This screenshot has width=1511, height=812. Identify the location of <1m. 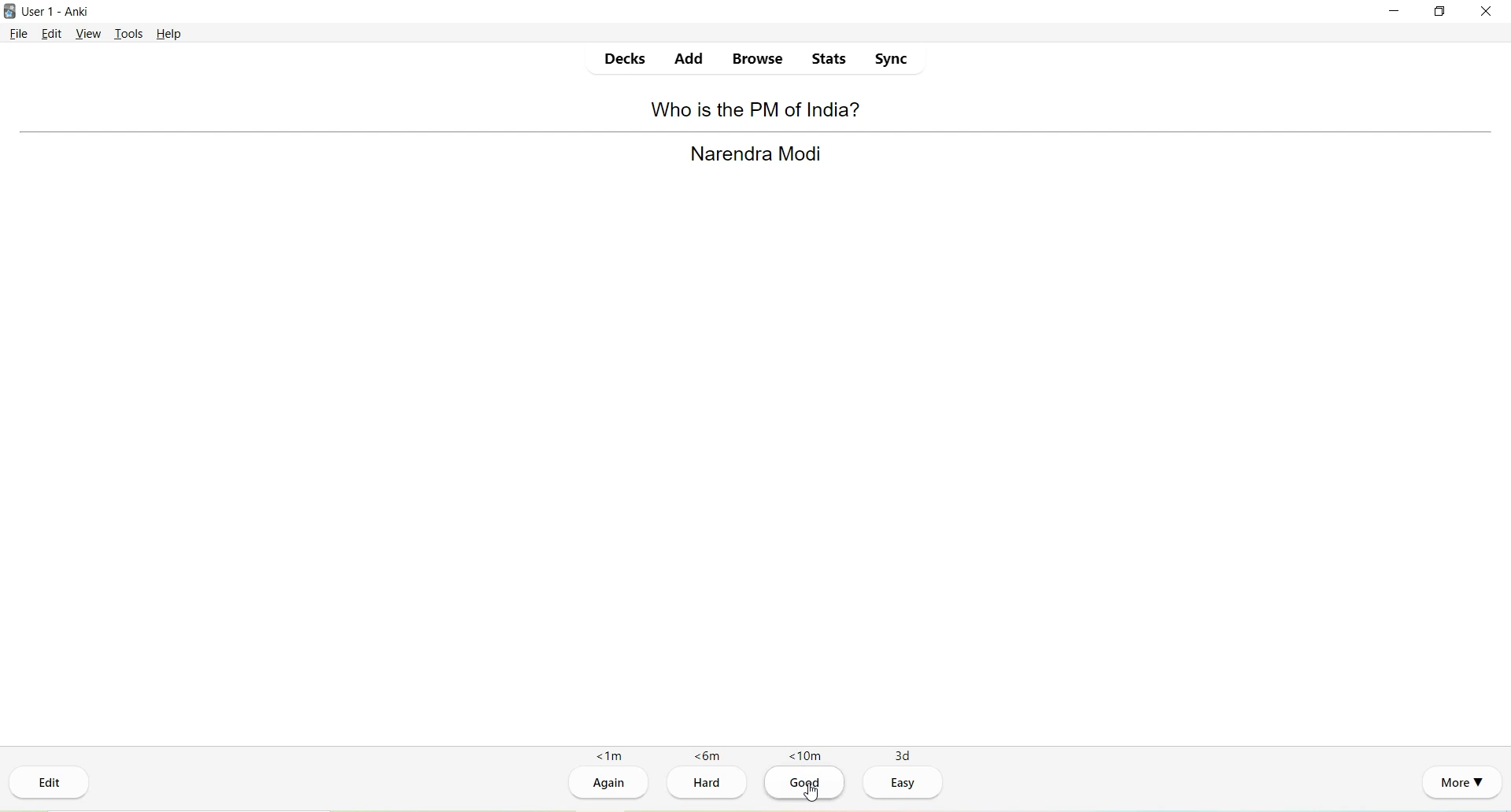
(608, 756).